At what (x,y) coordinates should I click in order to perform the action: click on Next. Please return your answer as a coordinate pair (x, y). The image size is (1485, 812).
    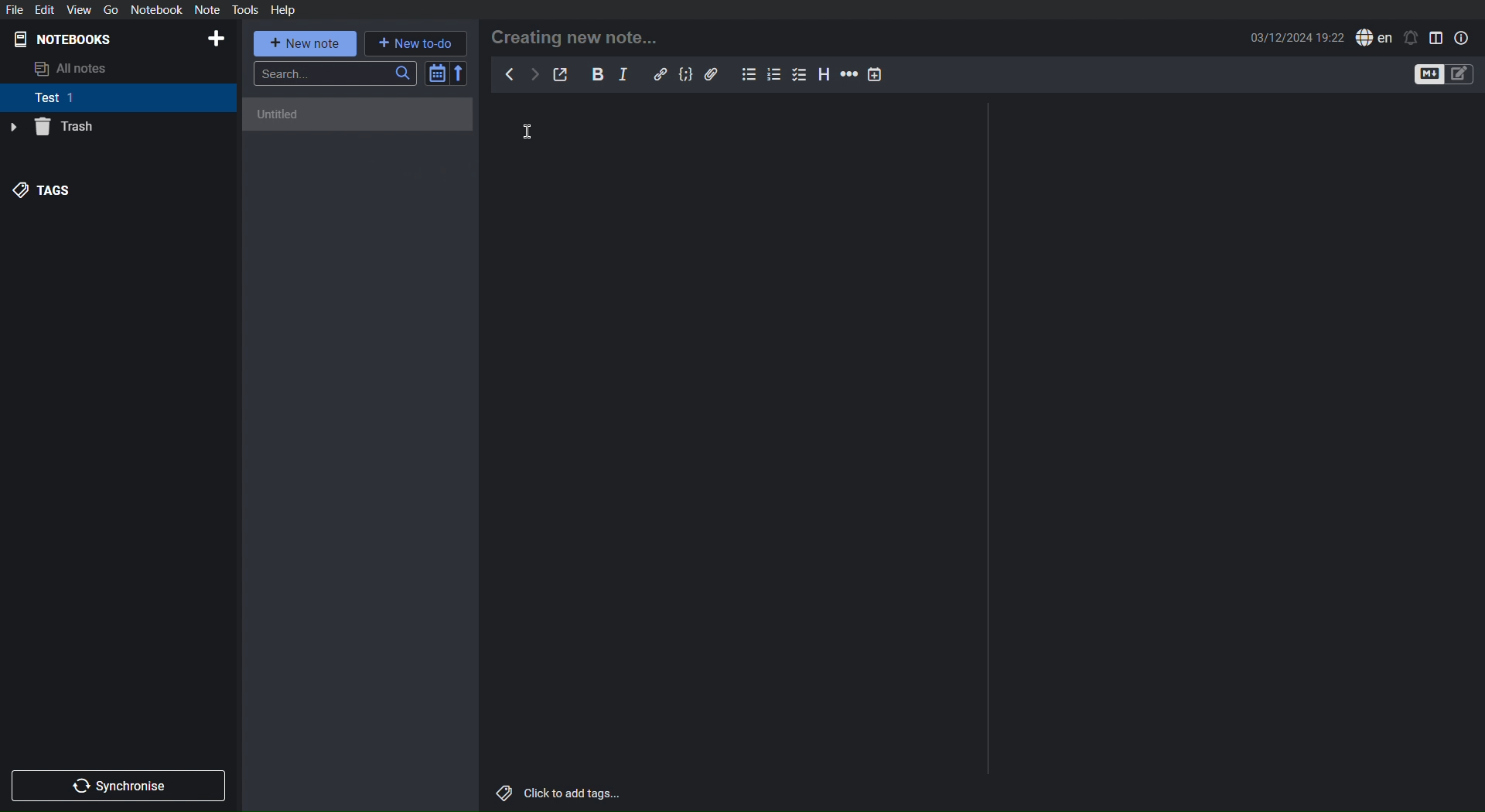
    Looking at the image, I should click on (533, 73).